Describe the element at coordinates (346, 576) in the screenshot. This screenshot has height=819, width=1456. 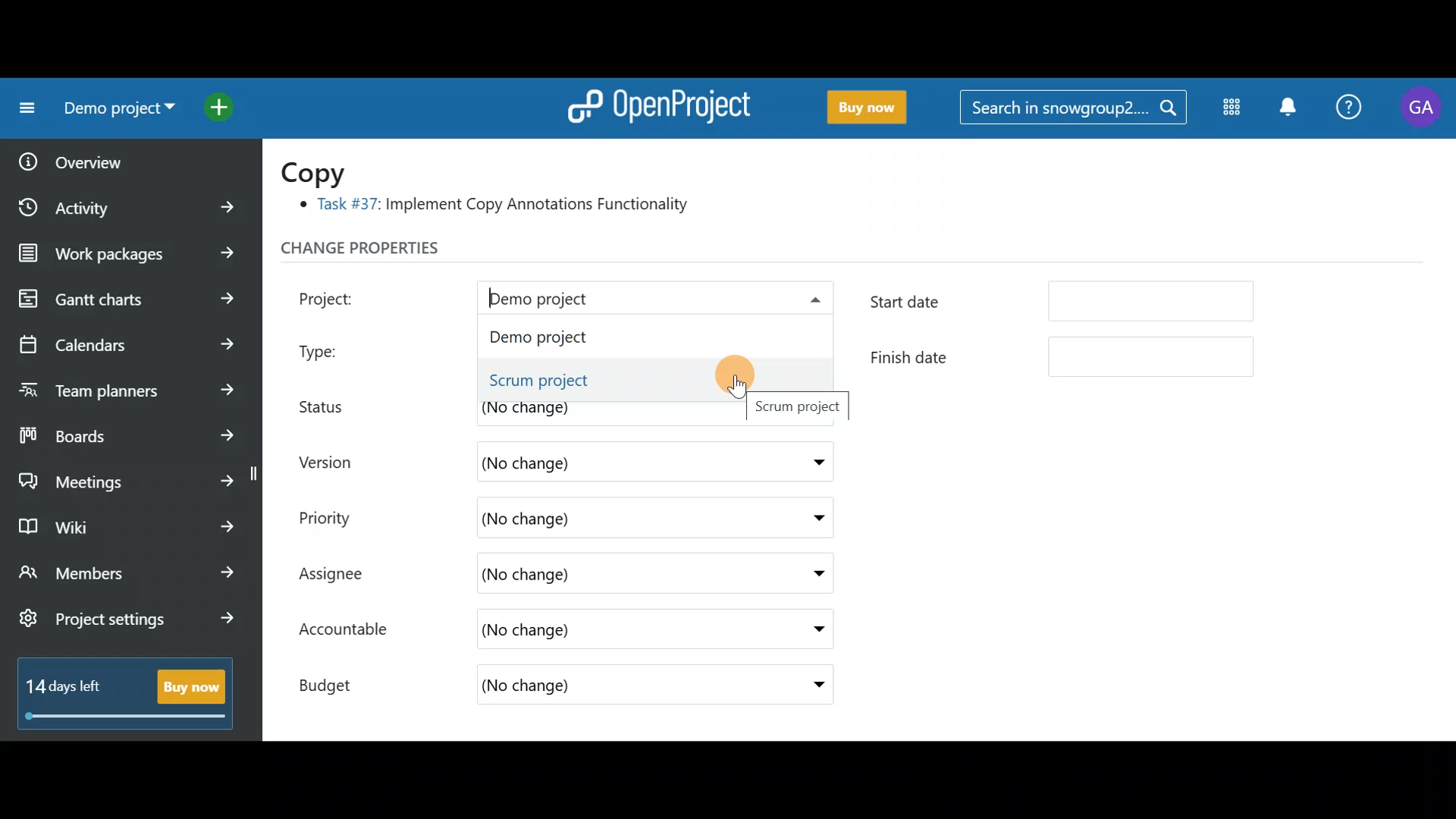
I see `Assignee` at that location.